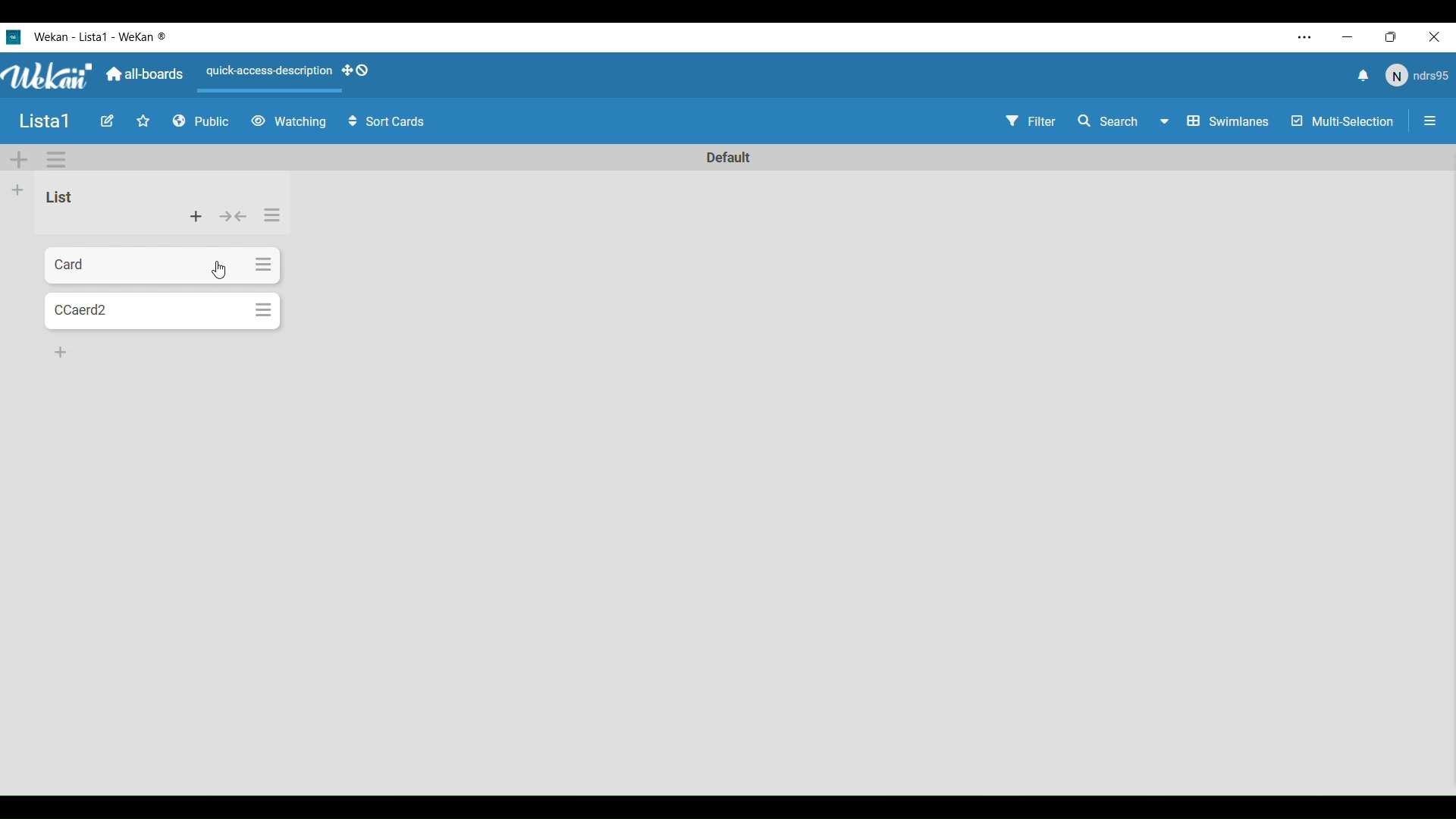  Describe the element at coordinates (288, 122) in the screenshot. I see `Watching` at that location.